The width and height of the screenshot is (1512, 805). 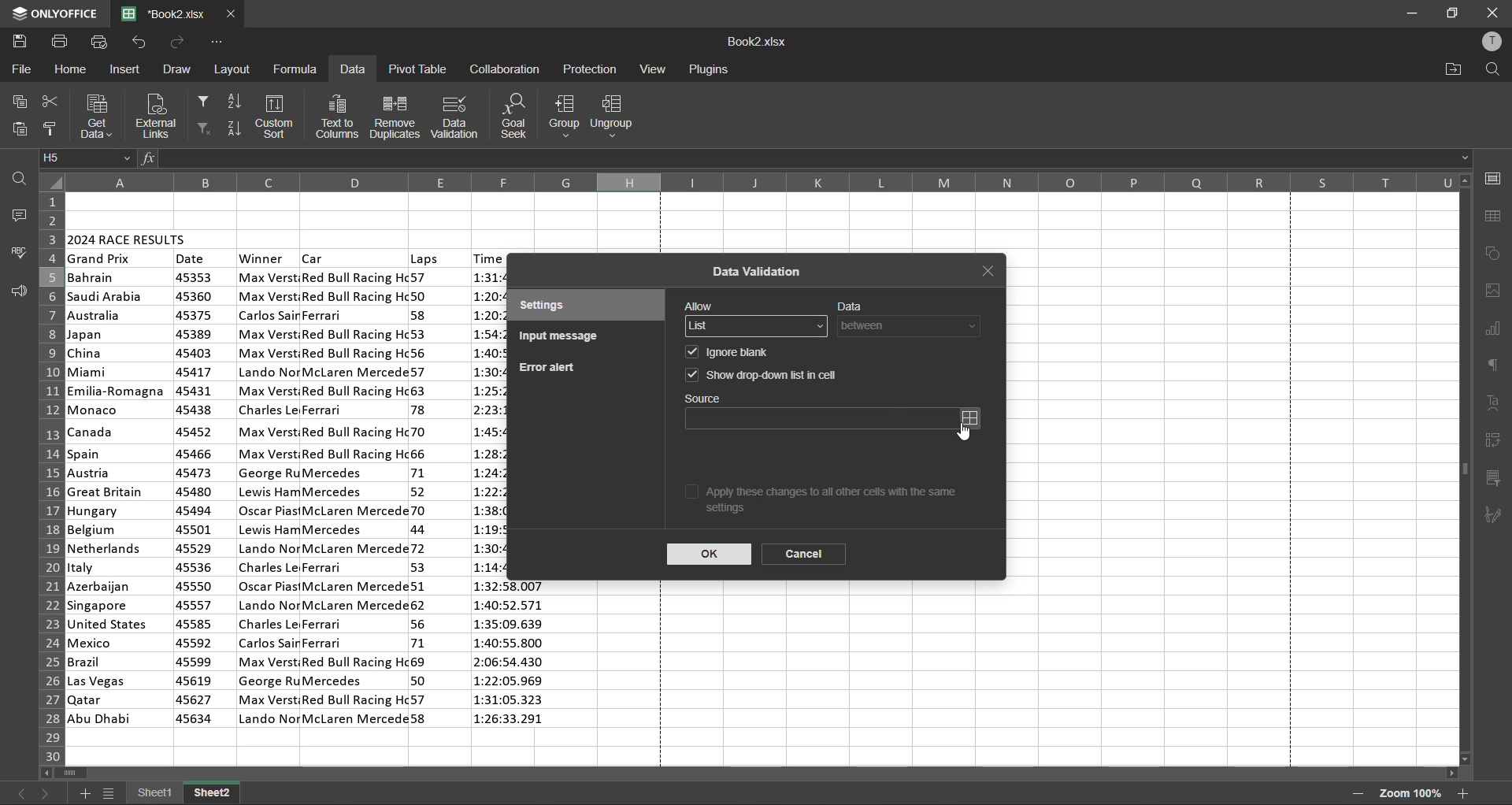 I want to click on settings, so click(x=569, y=306).